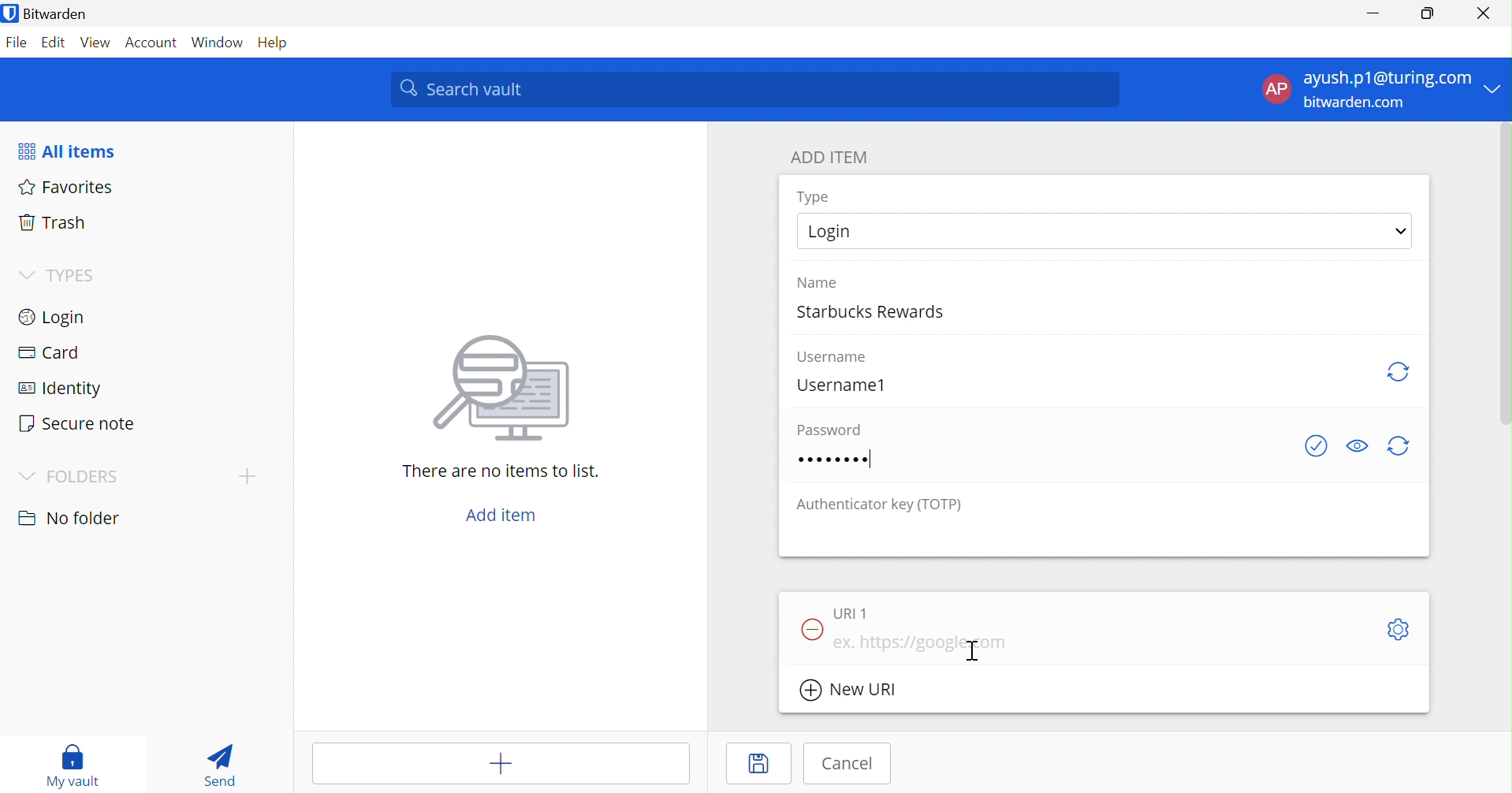 The image size is (1512, 793). What do you see at coordinates (754, 90) in the screenshot?
I see `Search vault` at bounding box center [754, 90].